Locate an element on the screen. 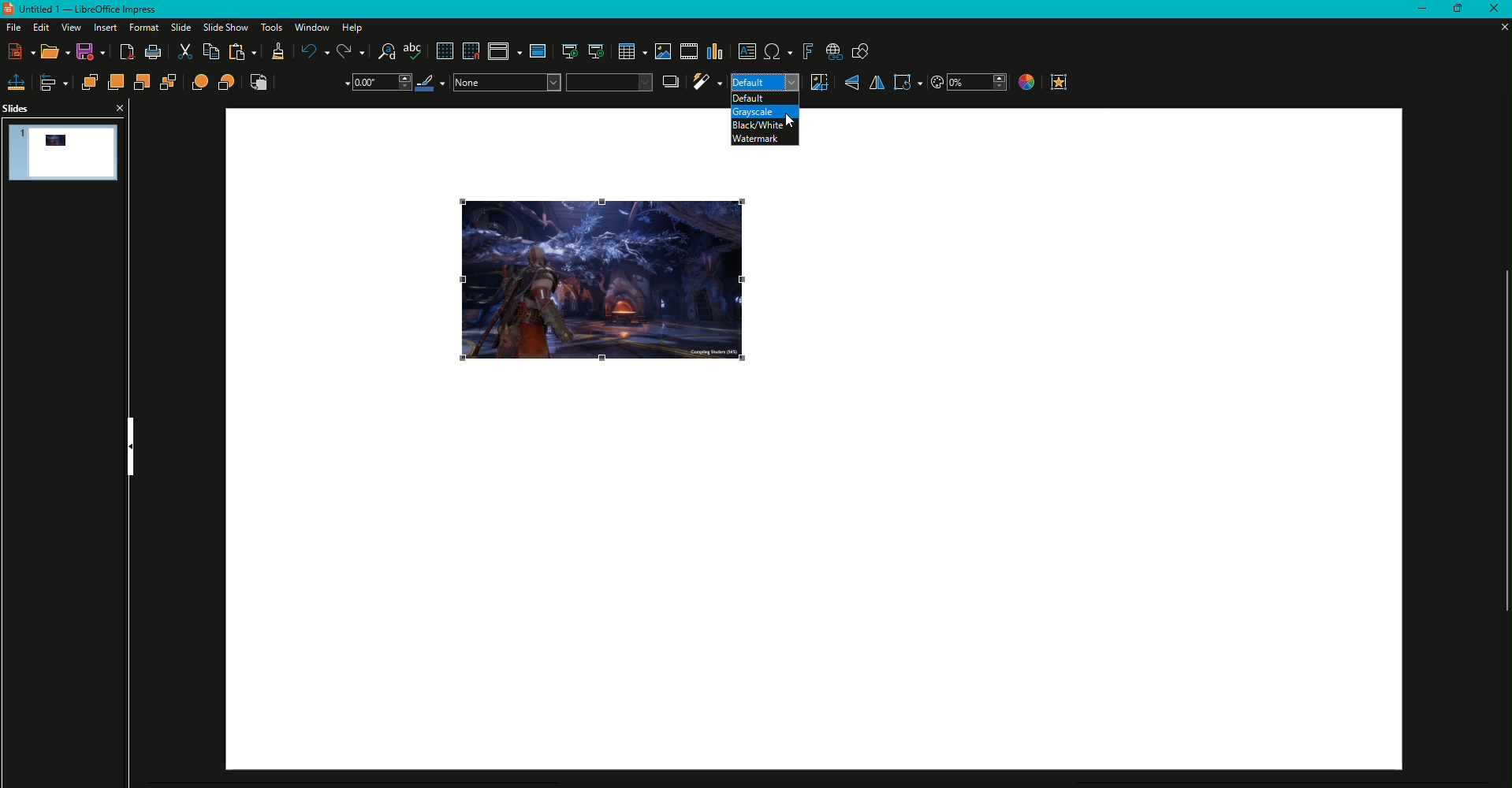 The height and width of the screenshot is (788, 1512). Text Box is located at coordinates (747, 51).